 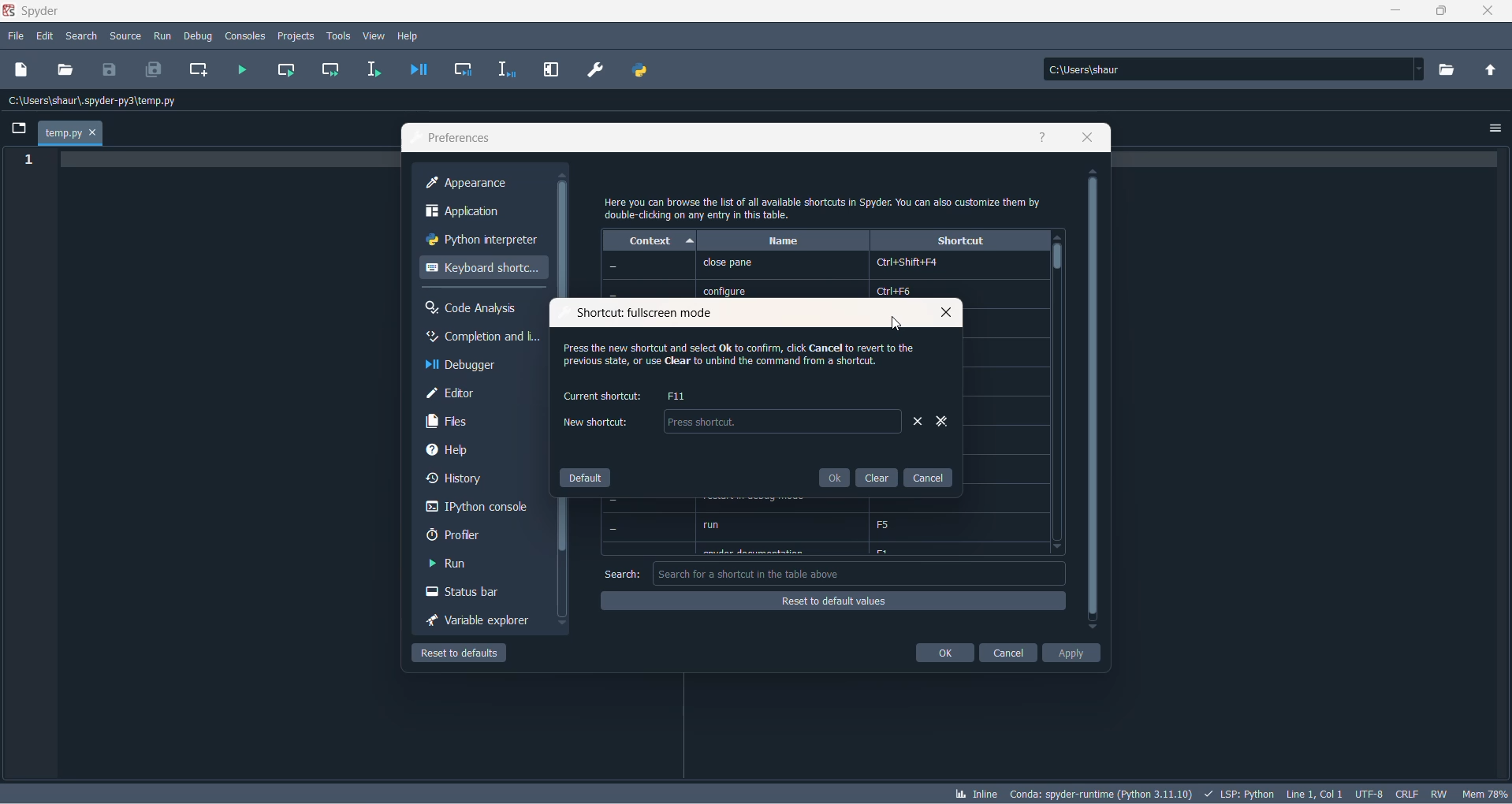 I want to click on PYTHON PATH MANAGER, so click(x=639, y=68).